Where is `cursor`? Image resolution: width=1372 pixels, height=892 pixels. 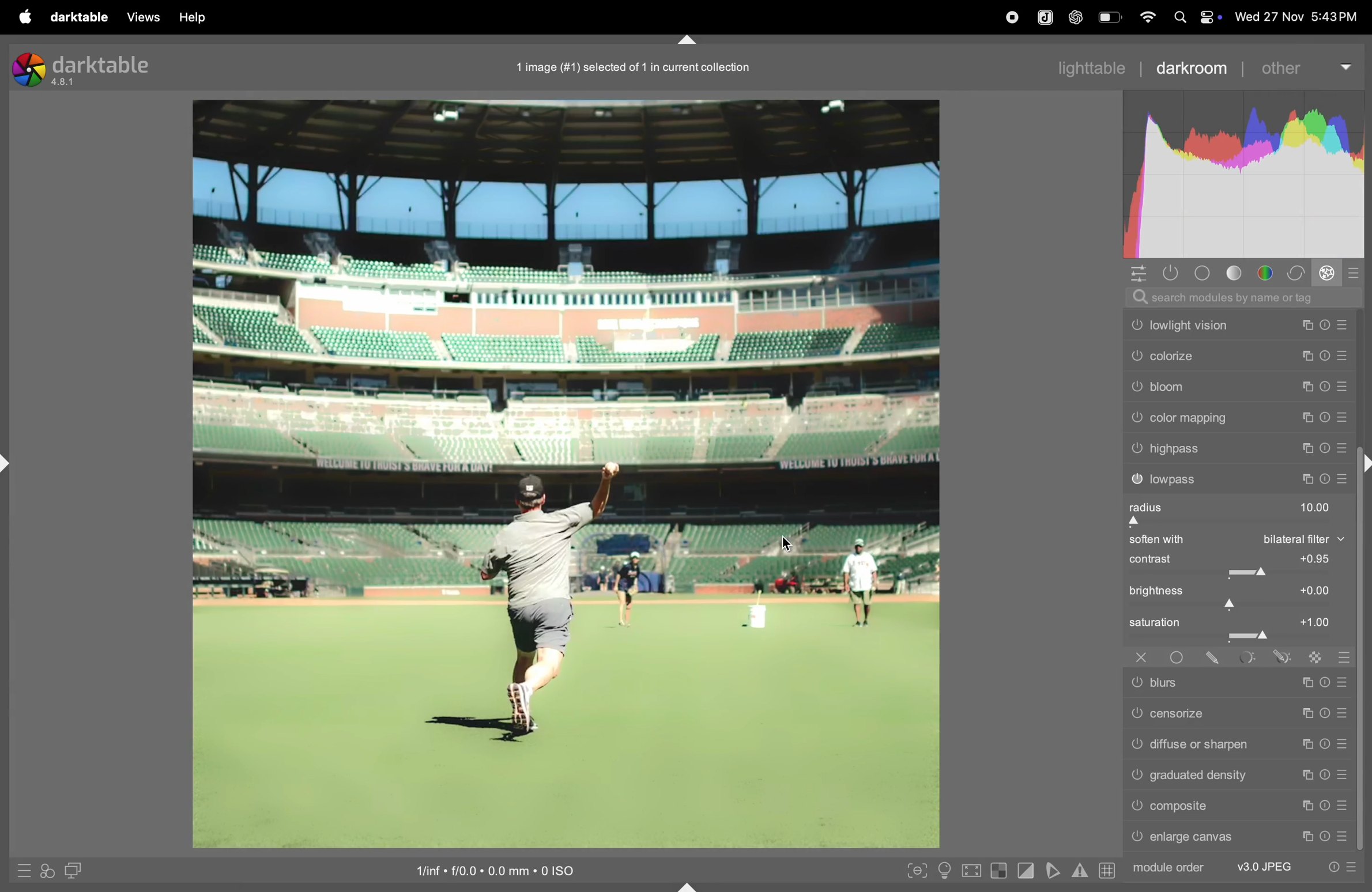 cursor is located at coordinates (787, 545).